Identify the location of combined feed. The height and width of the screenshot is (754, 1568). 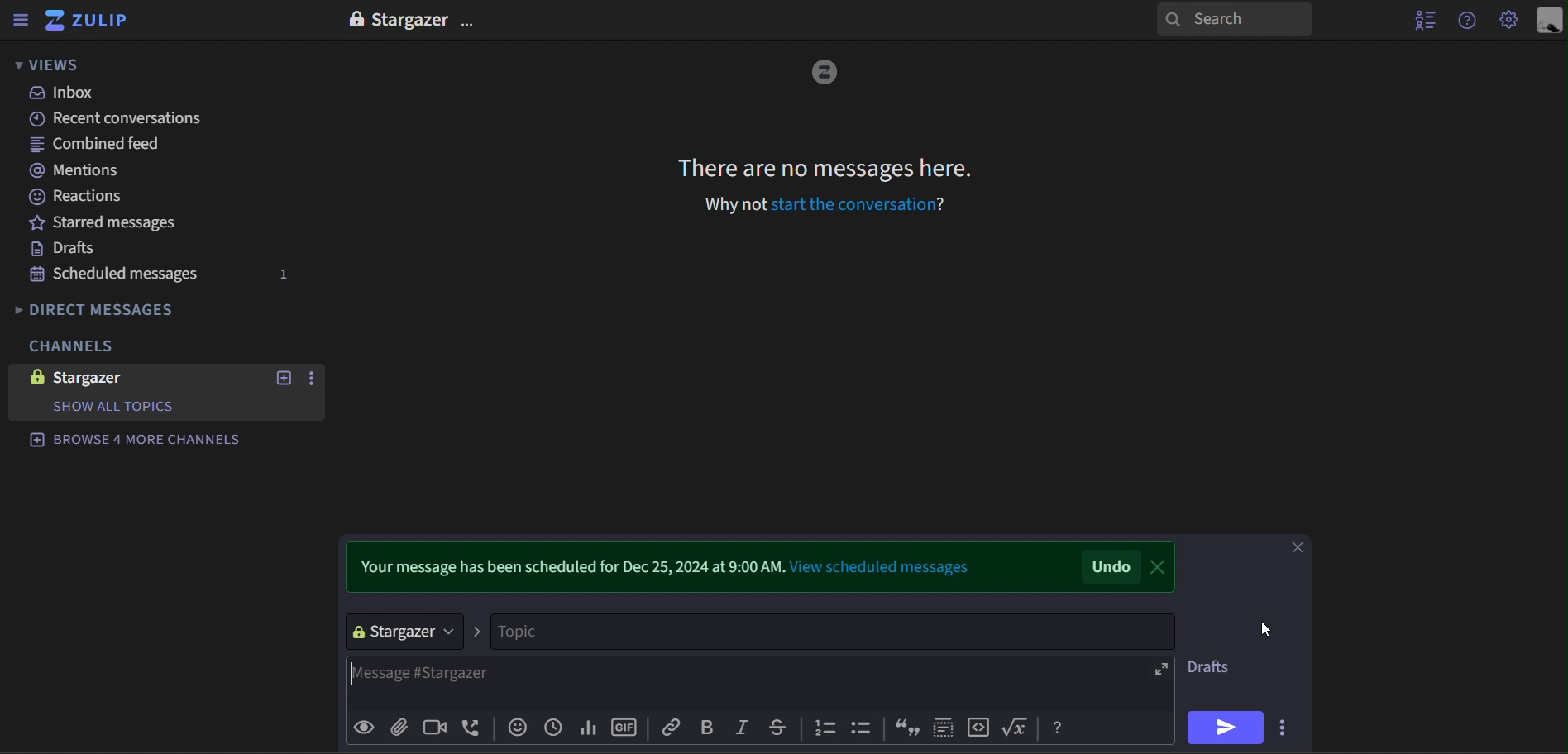
(117, 145).